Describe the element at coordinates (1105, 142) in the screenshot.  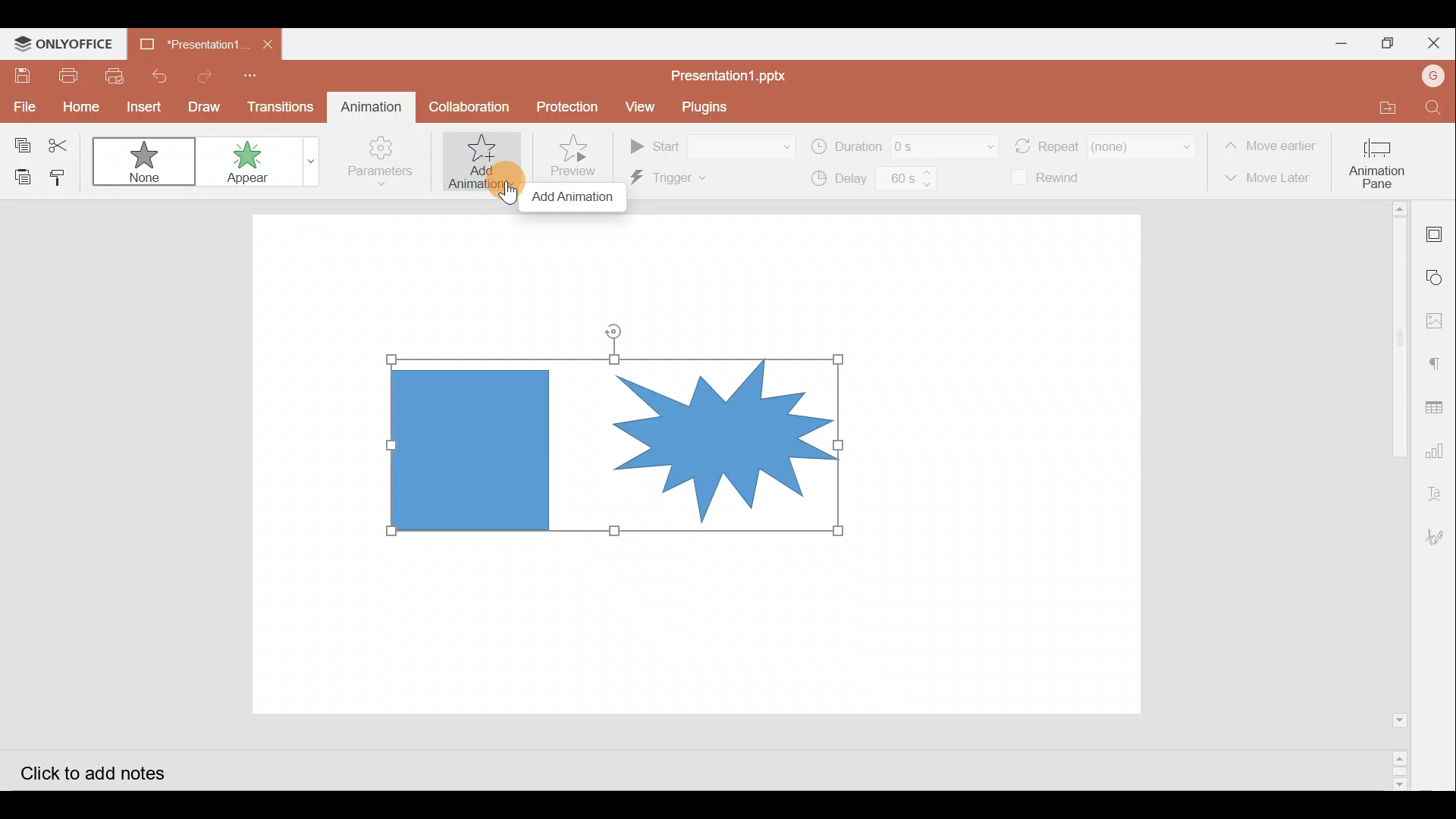
I see `Repeat` at that location.